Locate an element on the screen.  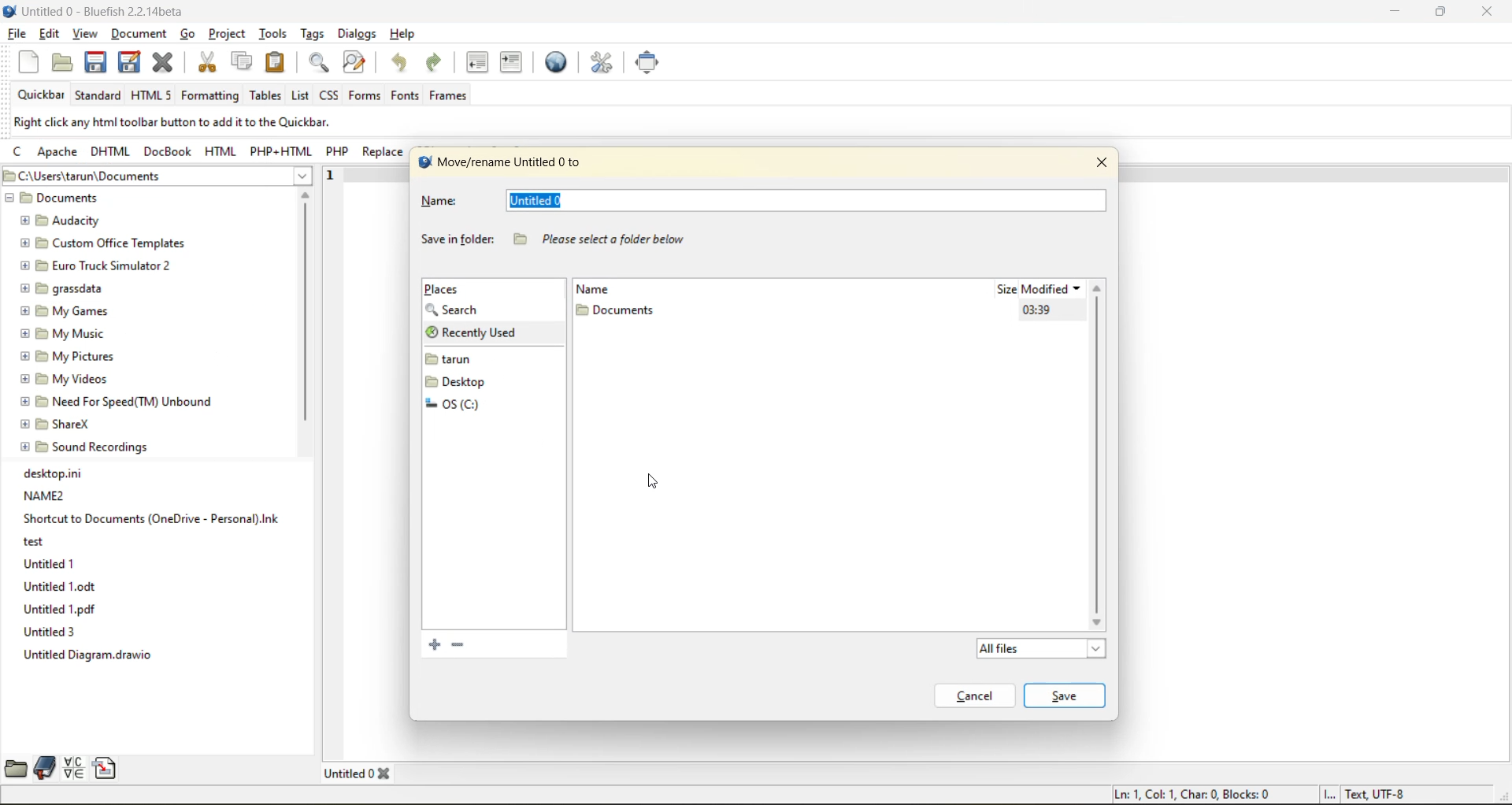
size  is located at coordinates (1004, 291).